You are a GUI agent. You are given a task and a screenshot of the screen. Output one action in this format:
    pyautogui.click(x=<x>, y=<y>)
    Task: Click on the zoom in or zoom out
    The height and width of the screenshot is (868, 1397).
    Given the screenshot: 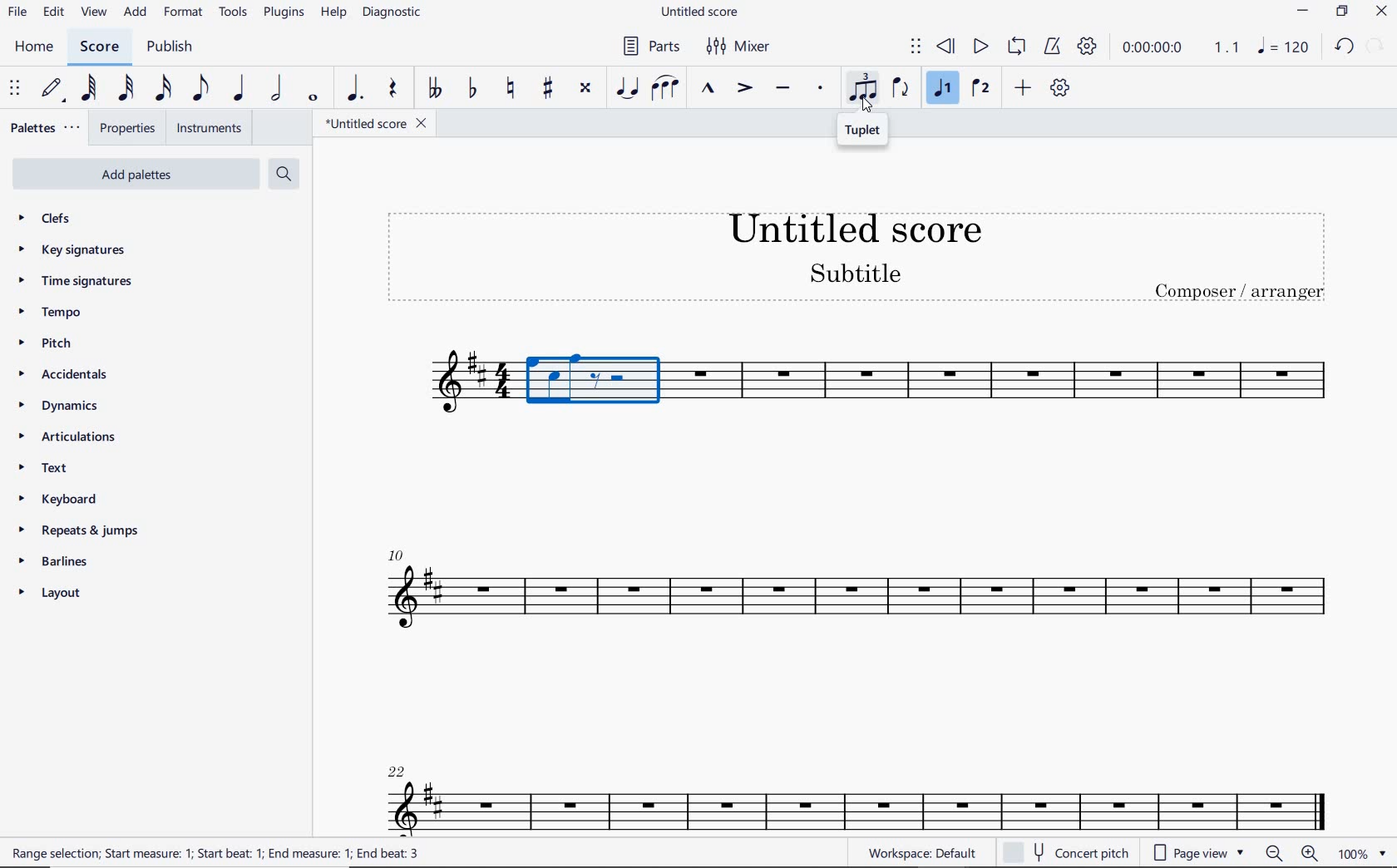 What is the action you would take?
    pyautogui.click(x=1291, y=854)
    